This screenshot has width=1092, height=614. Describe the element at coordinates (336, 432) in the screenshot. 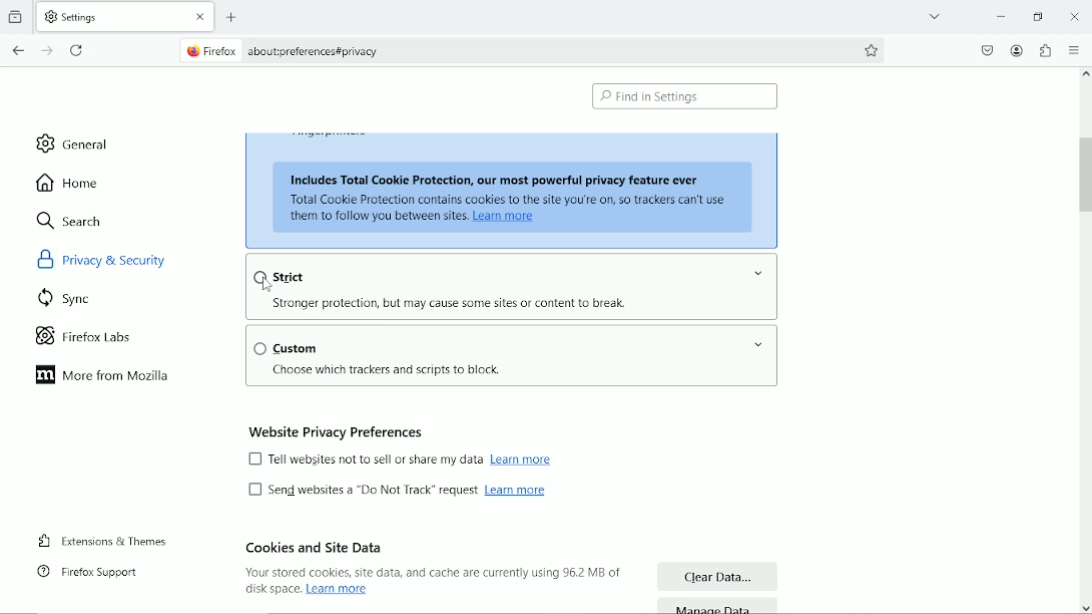

I see `website privacy preferences` at that location.